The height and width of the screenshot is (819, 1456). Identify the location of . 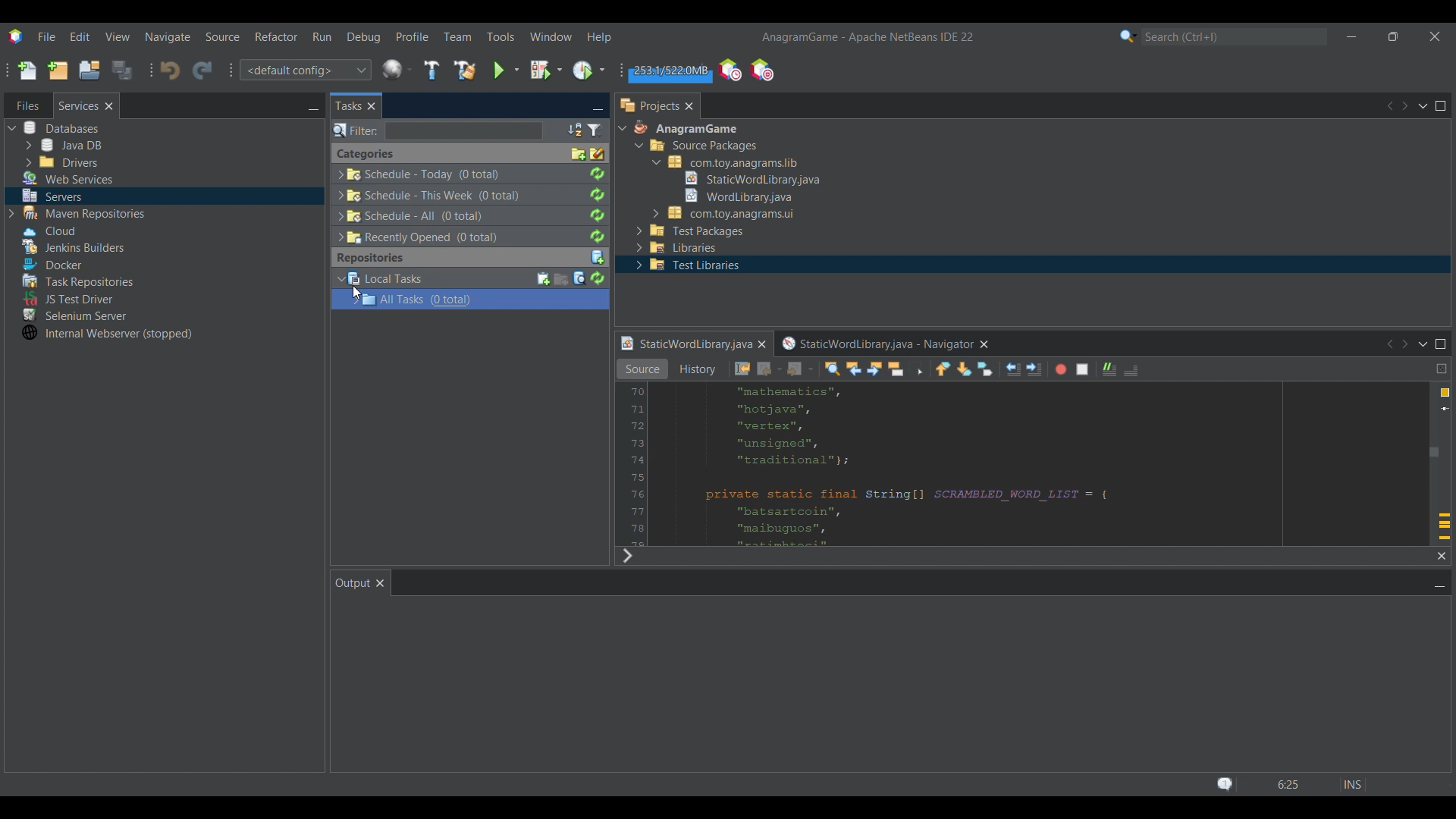
(49, 231).